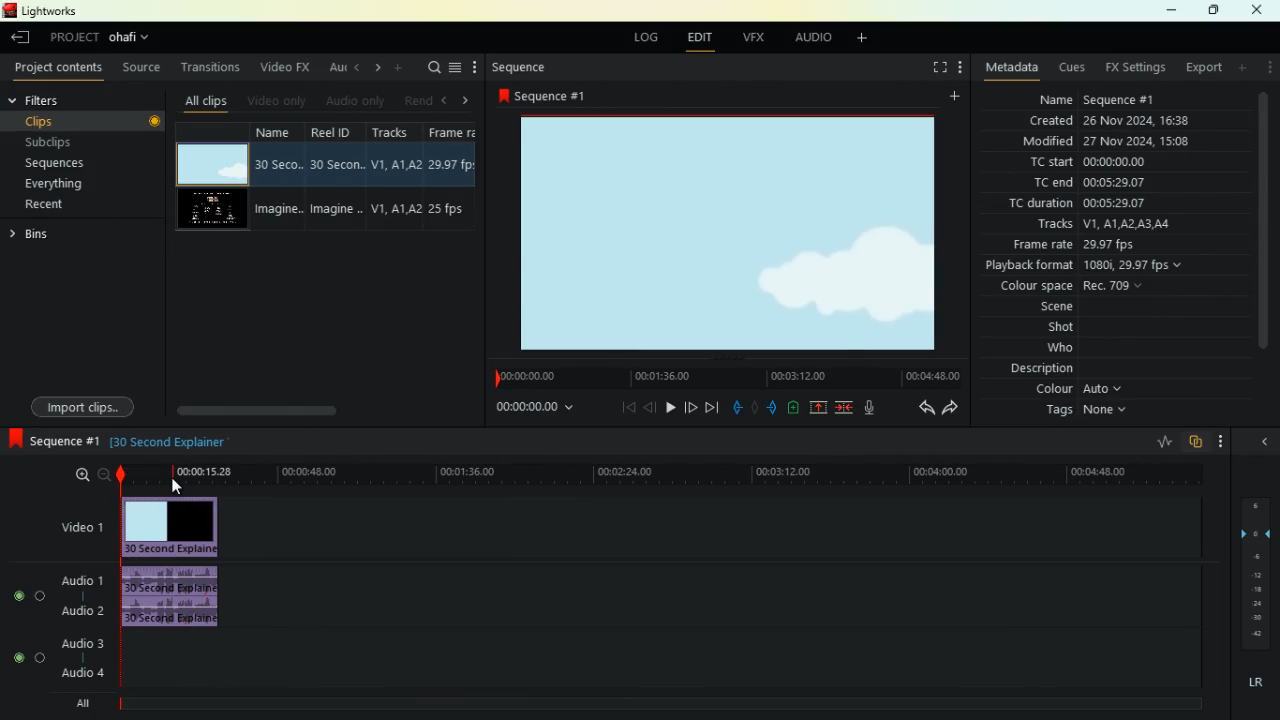 This screenshot has height=720, width=1280. I want to click on 29.97, so click(452, 164).